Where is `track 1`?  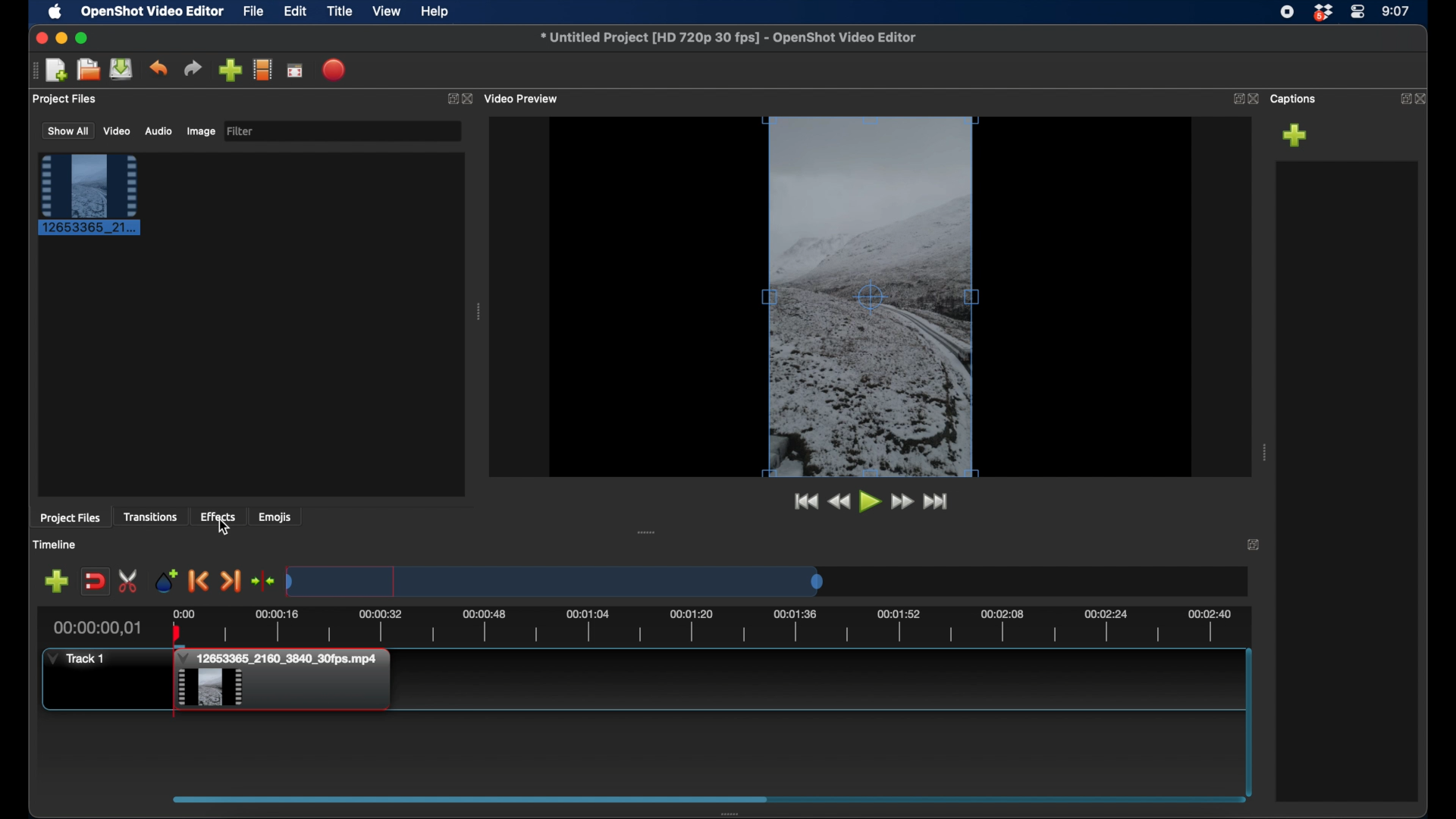
track 1 is located at coordinates (76, 657).